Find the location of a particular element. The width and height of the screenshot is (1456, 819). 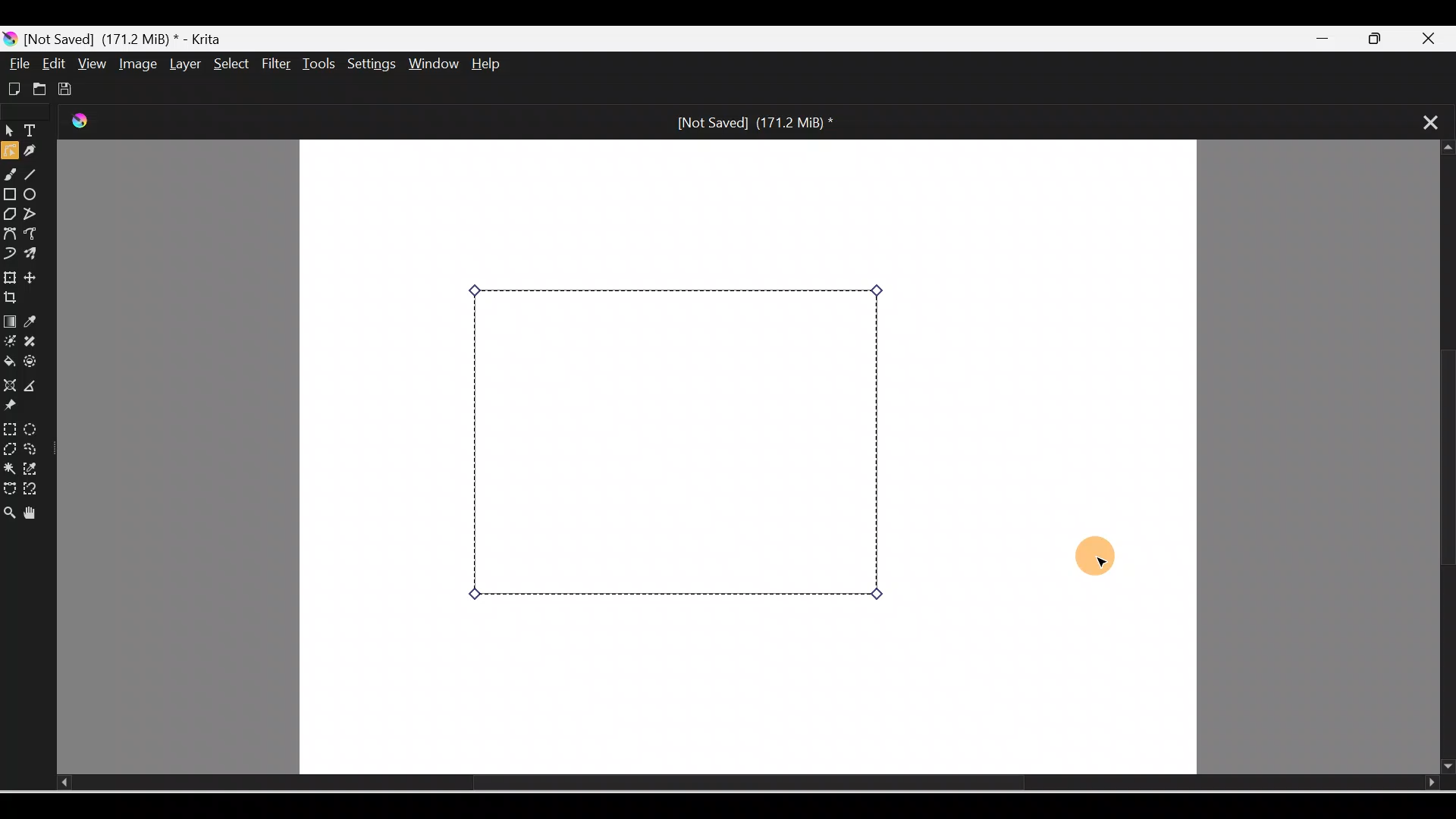

Image is located at coordinates (135, 64).